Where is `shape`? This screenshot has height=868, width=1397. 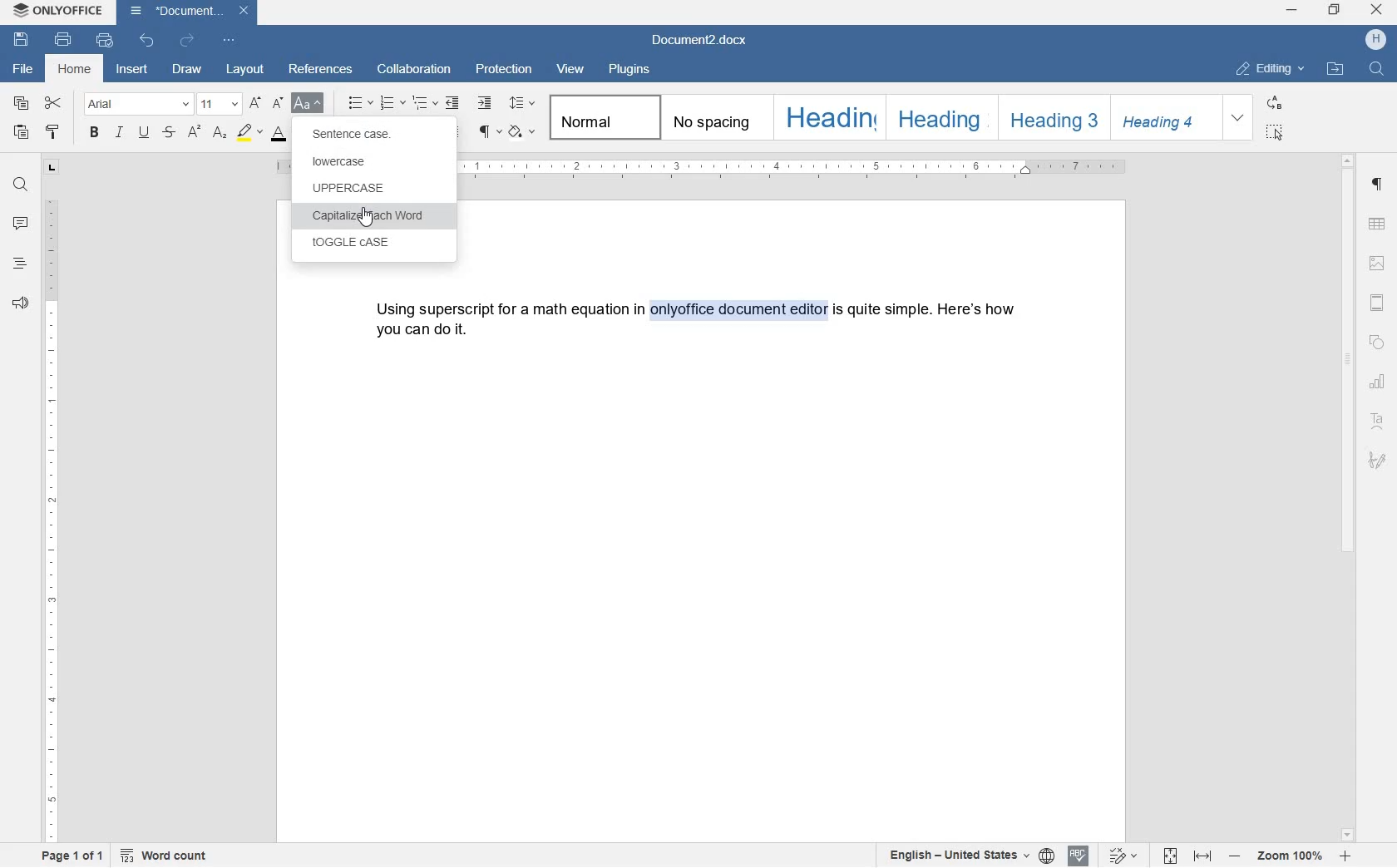
shape is located at coordinates (1376, 344).